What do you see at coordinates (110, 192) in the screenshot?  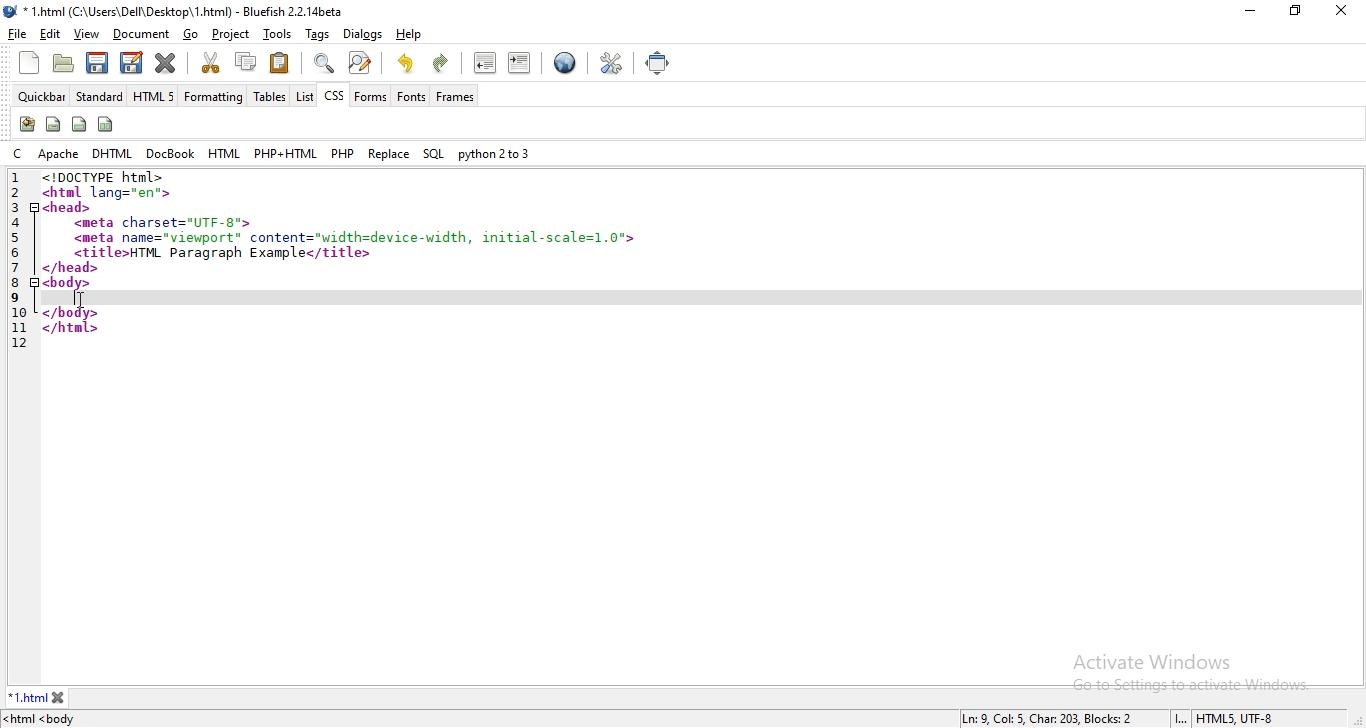 I see `<html lang="en">` at bounding box center [110, 192].